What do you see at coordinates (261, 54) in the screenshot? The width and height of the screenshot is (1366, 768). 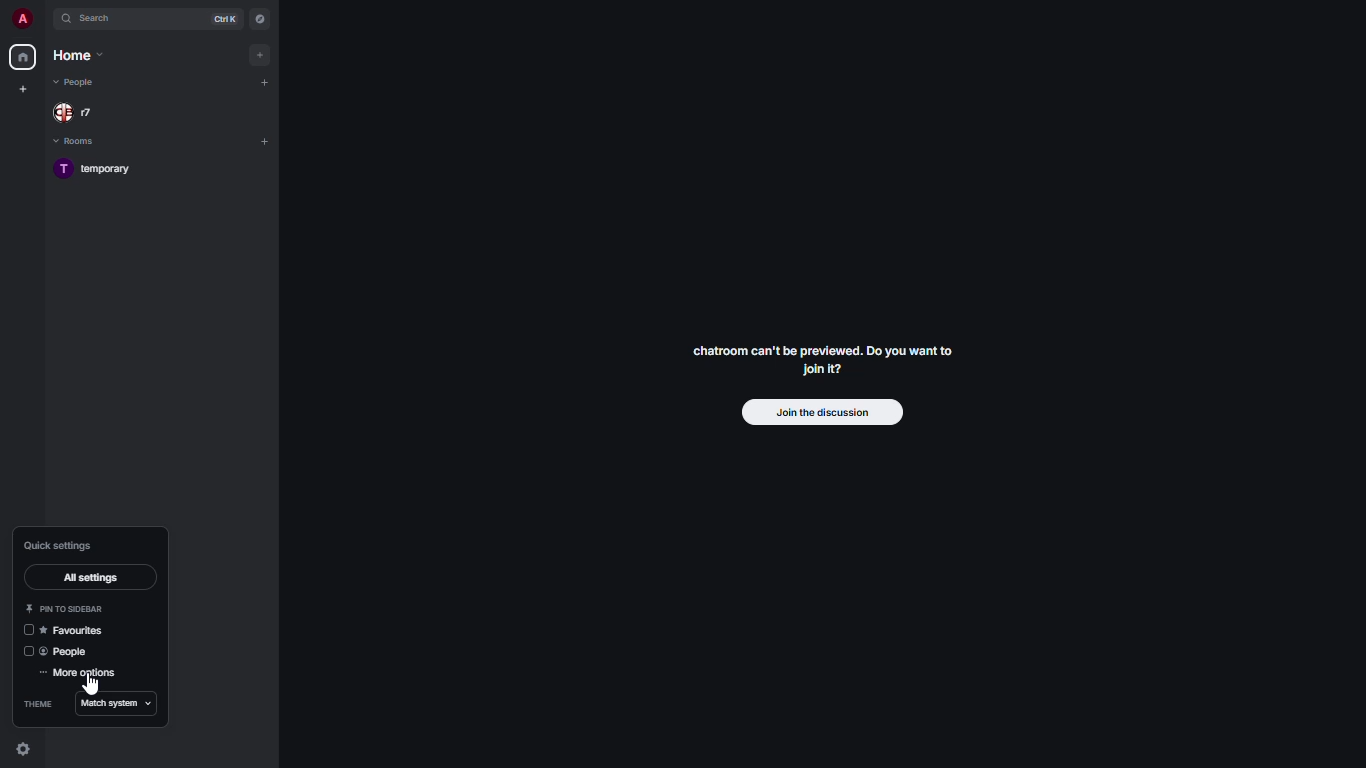 I see `add` at bounding box center [261, 54].